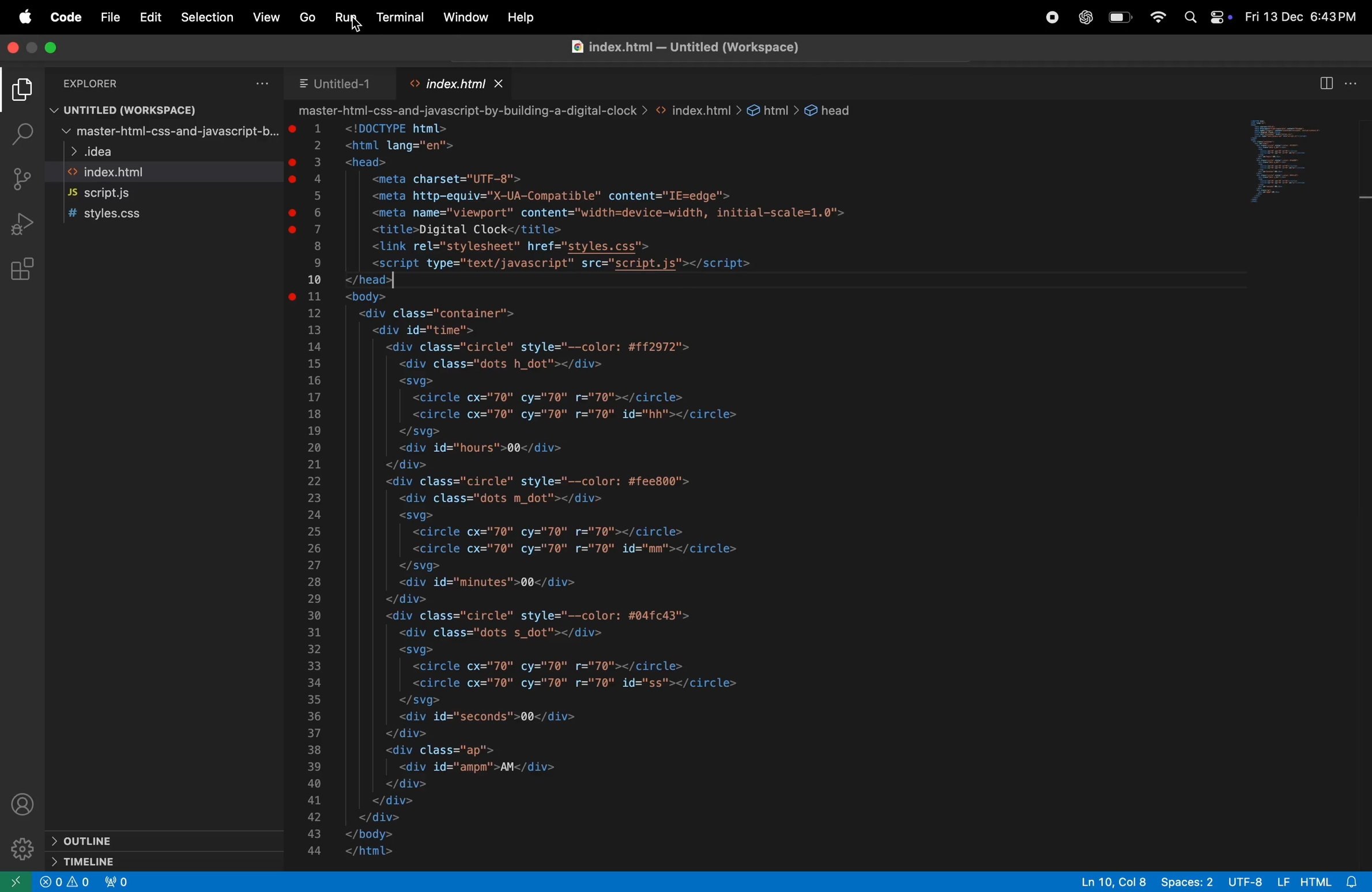  Describe the element at coordinates (151, 17) in the screenshot. I see `Edit` at that location.